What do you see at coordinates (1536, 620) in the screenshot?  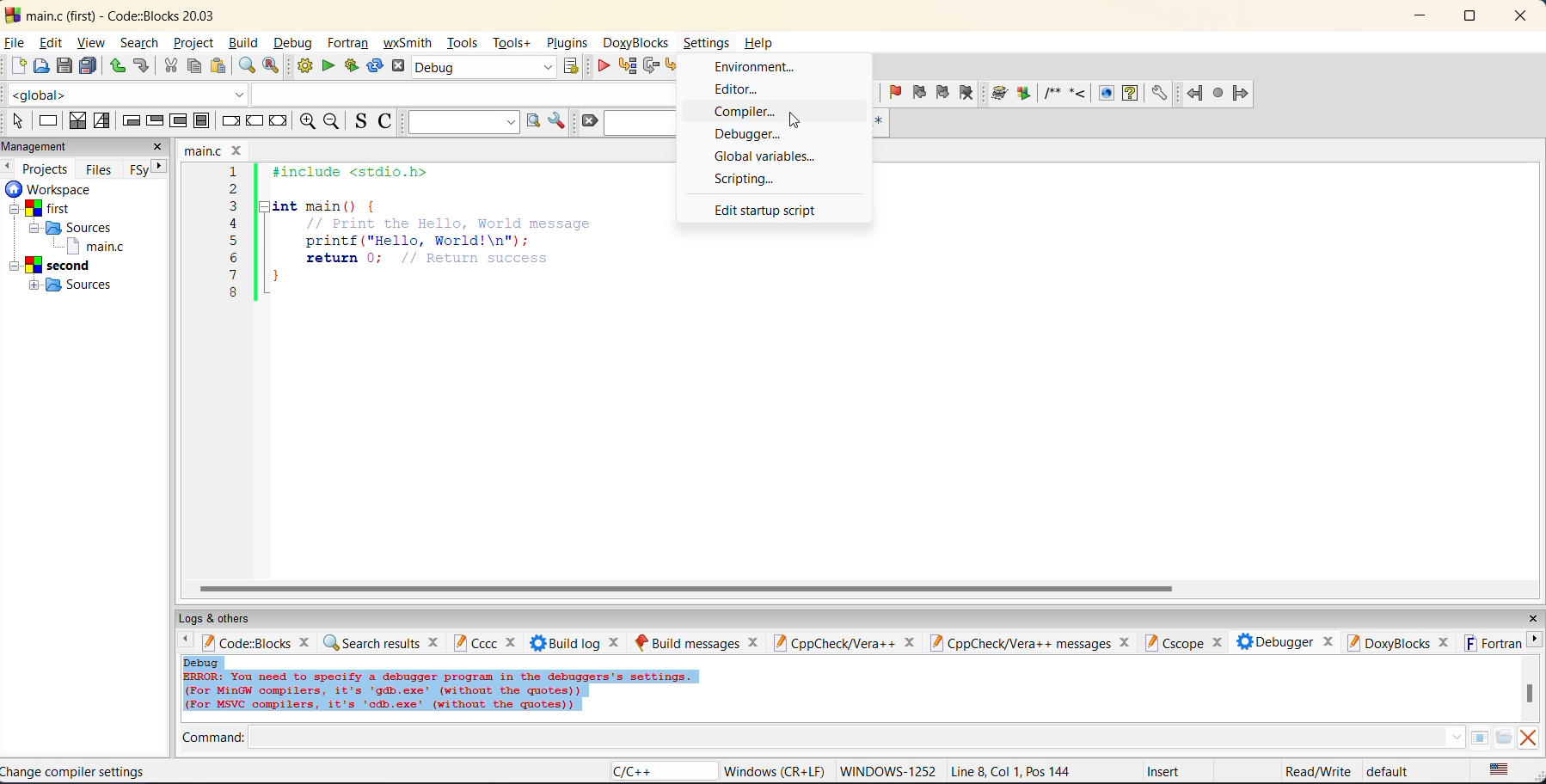 I see `close` at bounding box center [1536, 620].